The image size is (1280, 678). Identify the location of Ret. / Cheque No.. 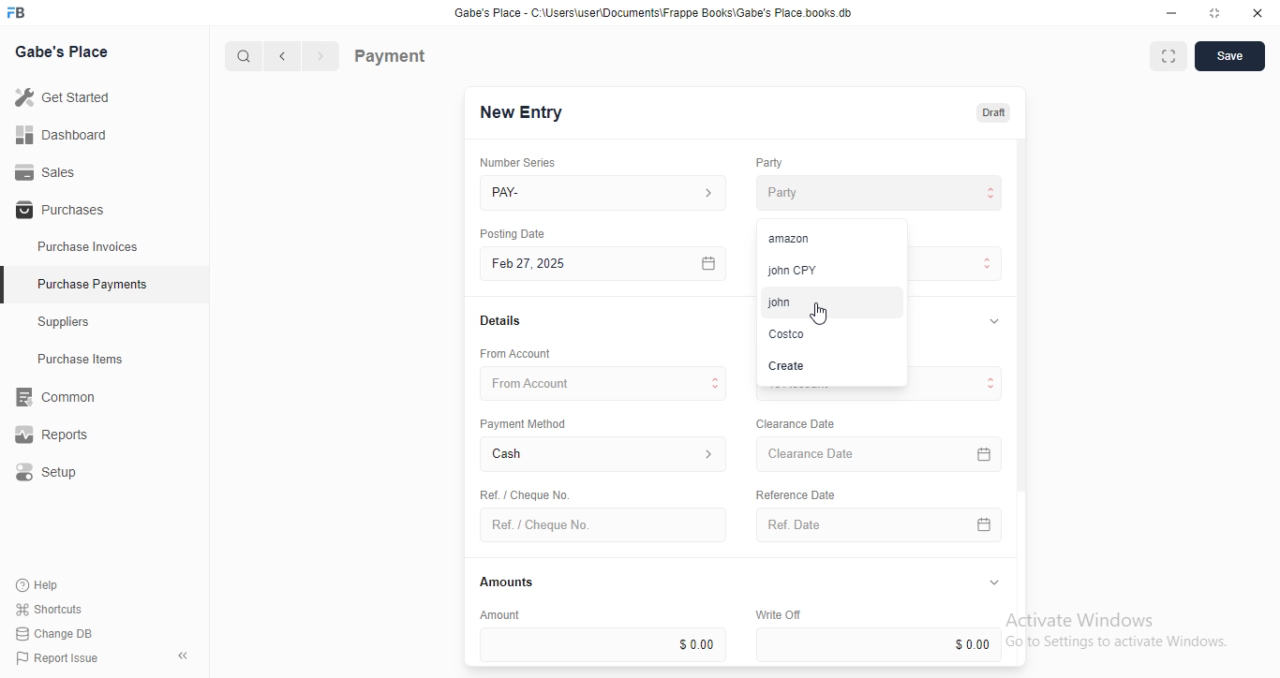
(522, 493).